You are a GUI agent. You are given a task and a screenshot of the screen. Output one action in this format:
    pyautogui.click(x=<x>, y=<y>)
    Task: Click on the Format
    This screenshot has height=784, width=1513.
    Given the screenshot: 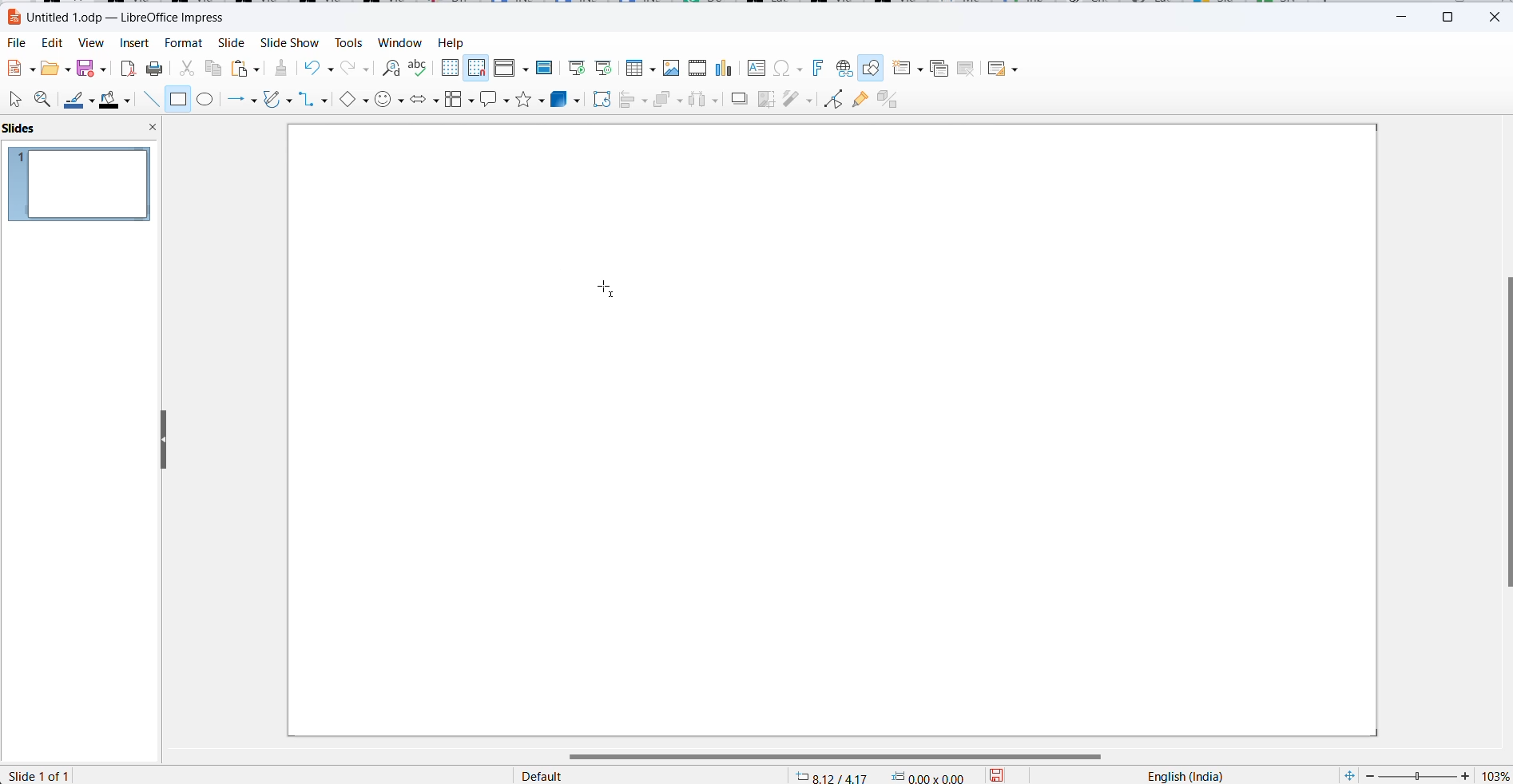 What is the action you would take?
    pyautogui.click(x=183, y=44)
    